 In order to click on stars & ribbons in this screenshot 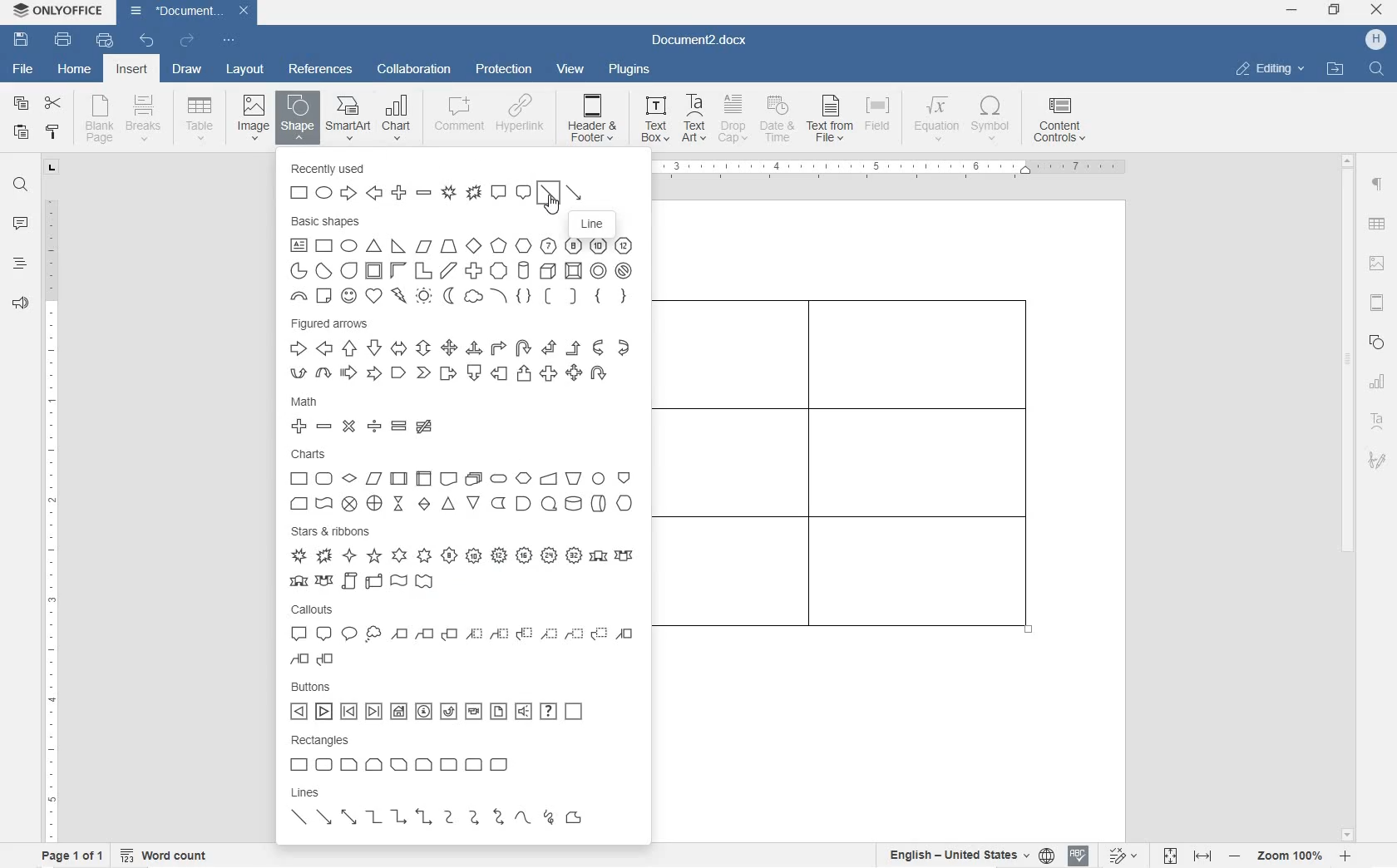, I will do `click(461, 558)`.